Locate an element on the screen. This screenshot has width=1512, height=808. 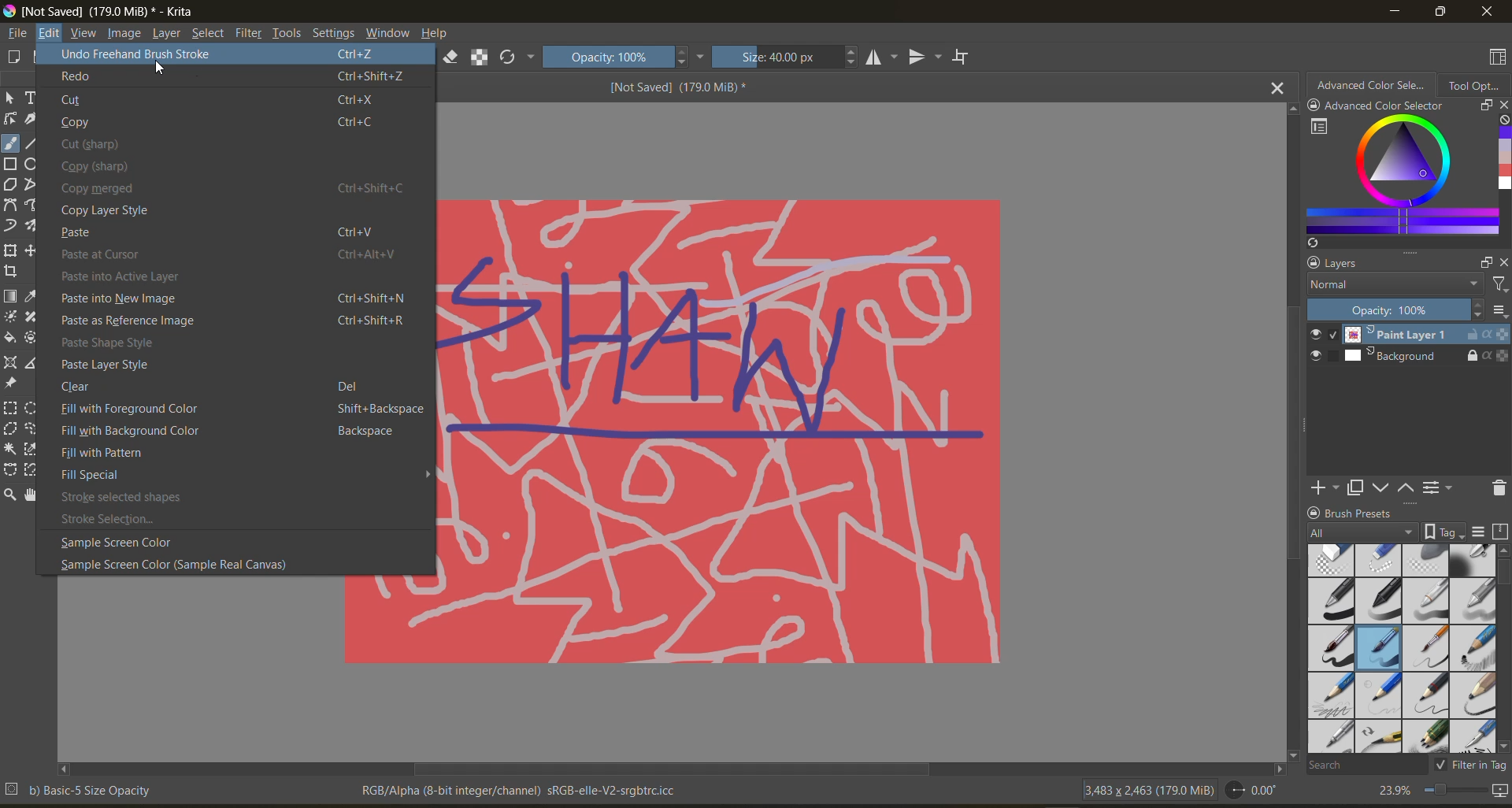
Enclose and fill tool is located at coordinates (35, 338).